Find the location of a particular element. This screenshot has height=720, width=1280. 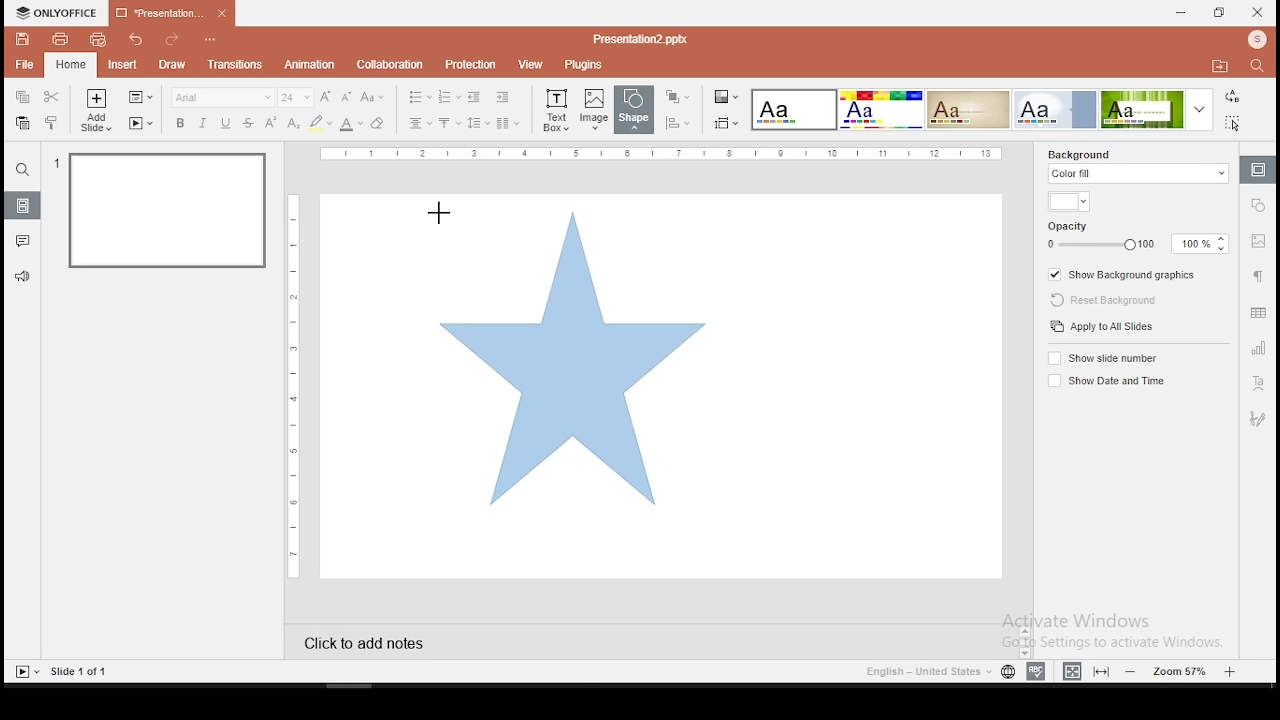

shape is located at coordinates (637, 111).